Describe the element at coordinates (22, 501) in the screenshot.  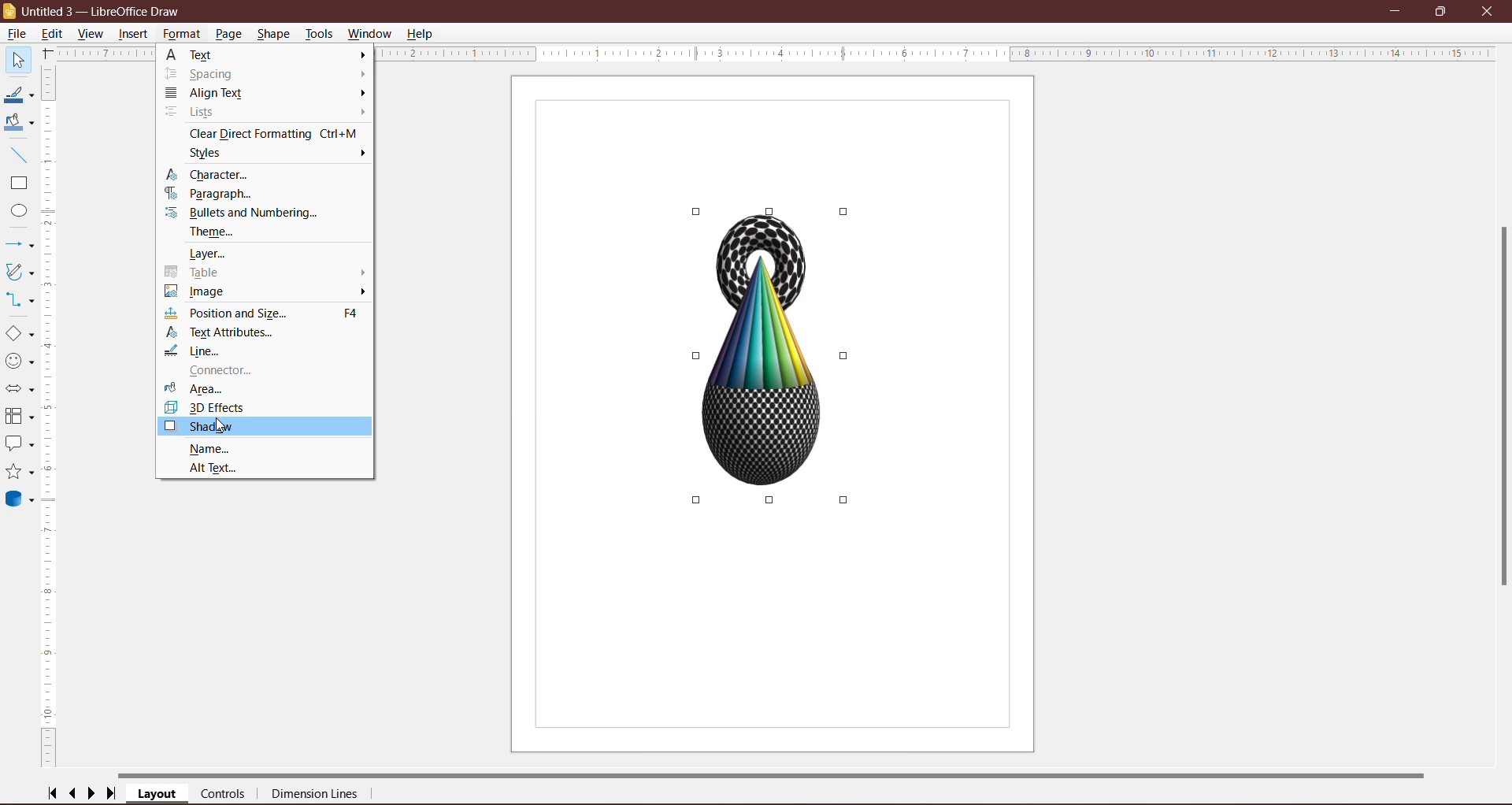
I see `3D Objects` at that location.